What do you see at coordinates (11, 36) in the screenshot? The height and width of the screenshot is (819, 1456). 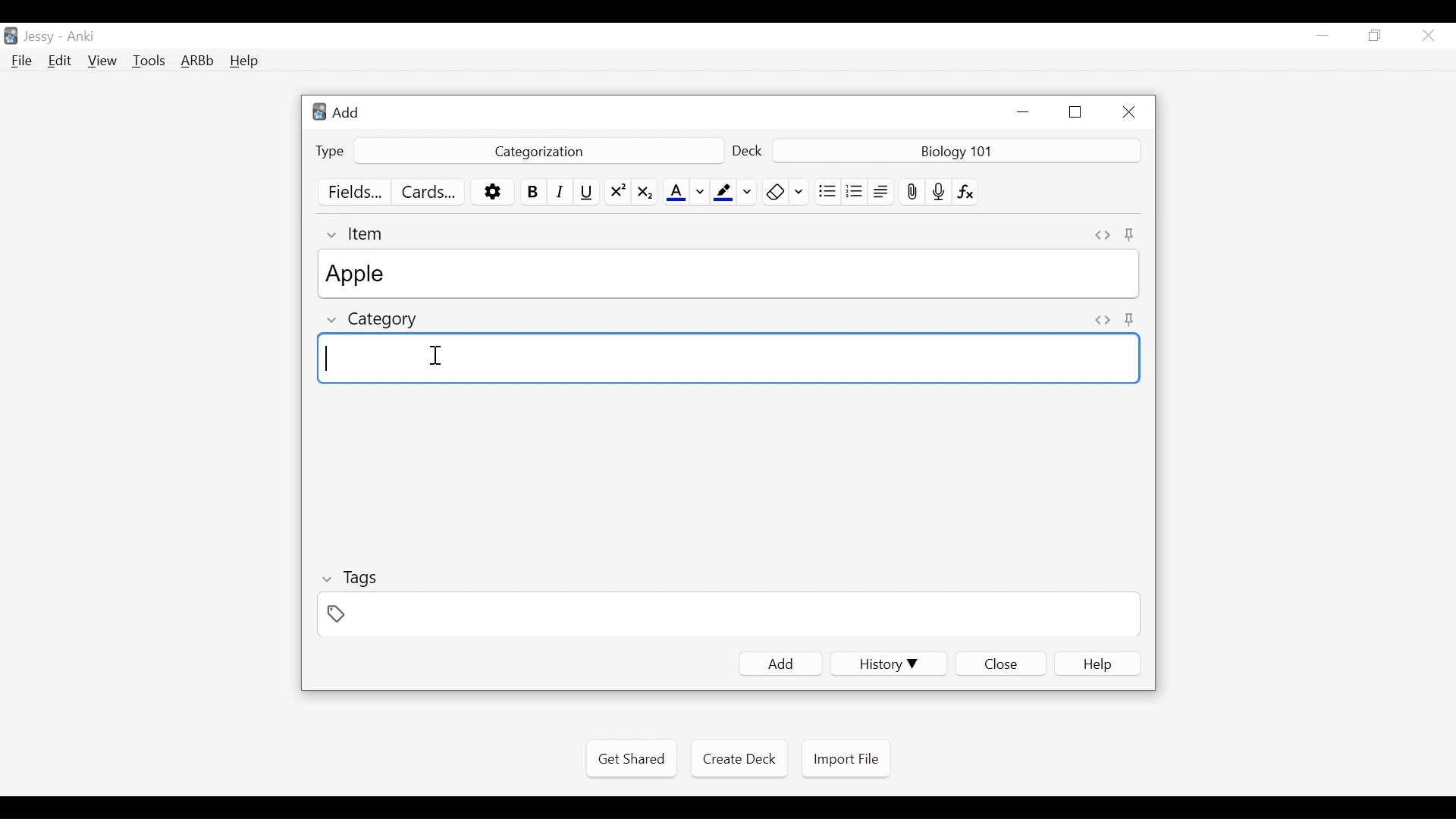 I see `Anki Desktop icon` at bounding box center [11, 36].